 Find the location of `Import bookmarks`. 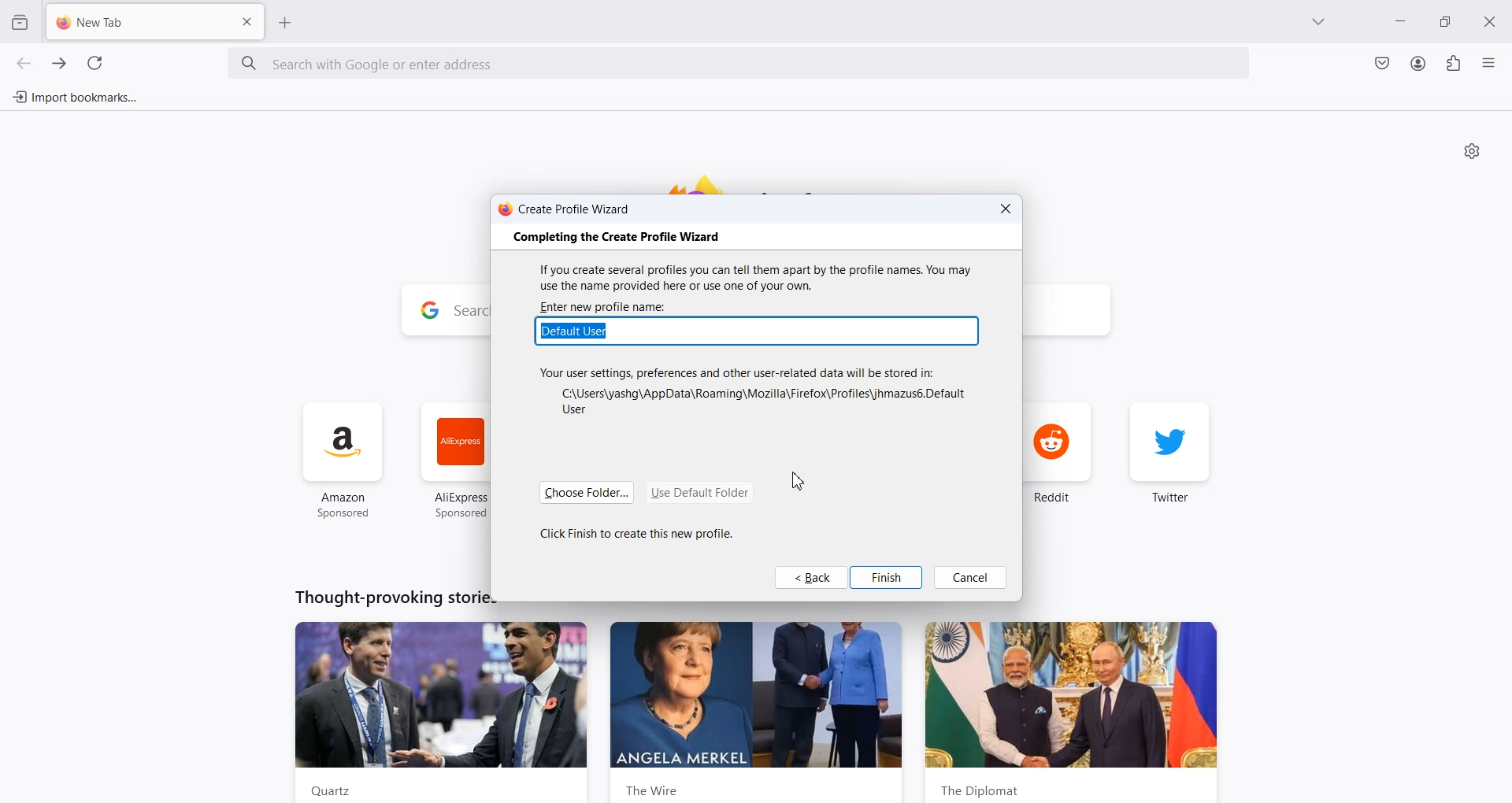

Import bookmarks is located at coordinates (75, 97).